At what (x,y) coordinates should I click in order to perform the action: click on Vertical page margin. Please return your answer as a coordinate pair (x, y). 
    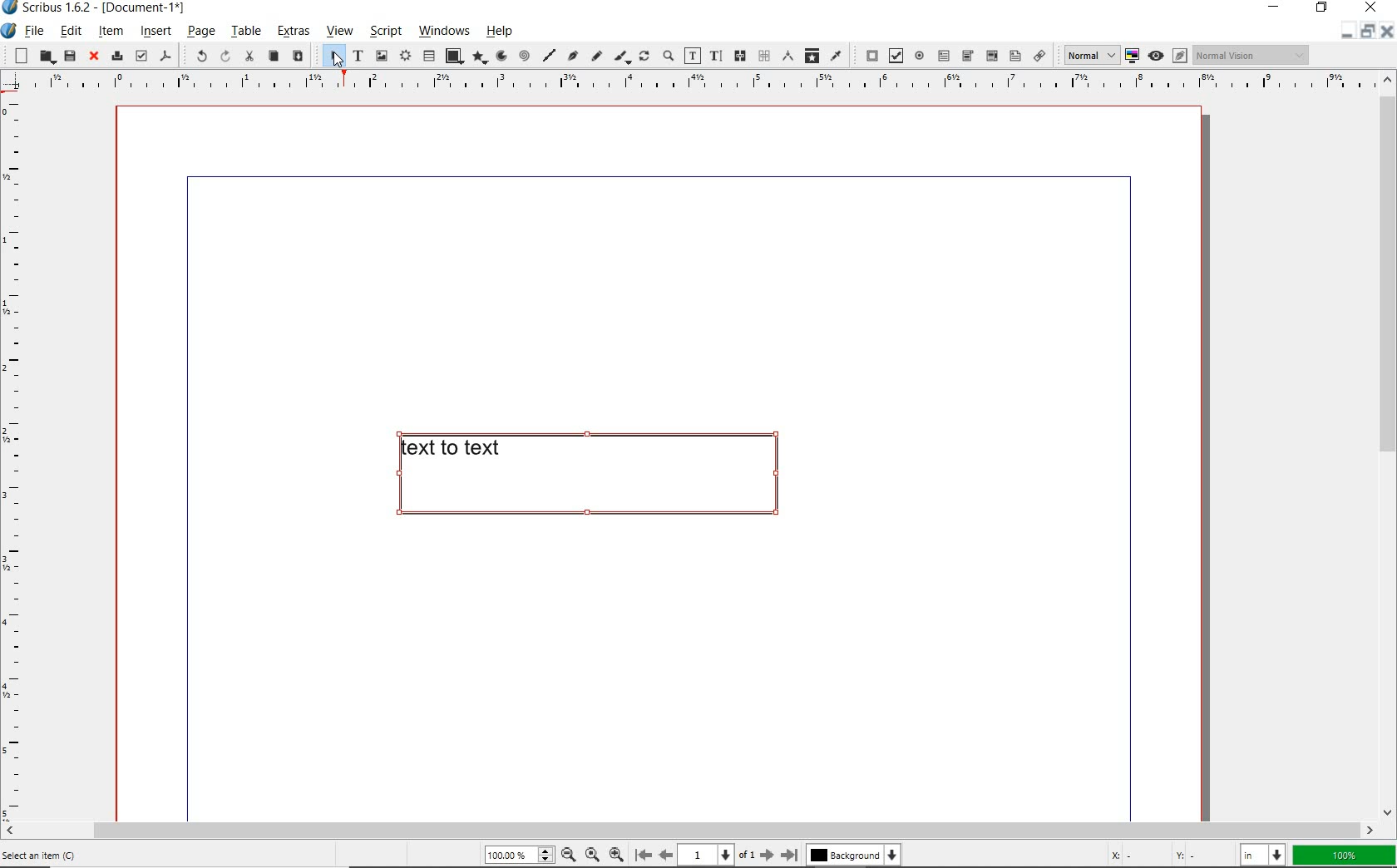
    Looking at the image, I should click on (683, 83).